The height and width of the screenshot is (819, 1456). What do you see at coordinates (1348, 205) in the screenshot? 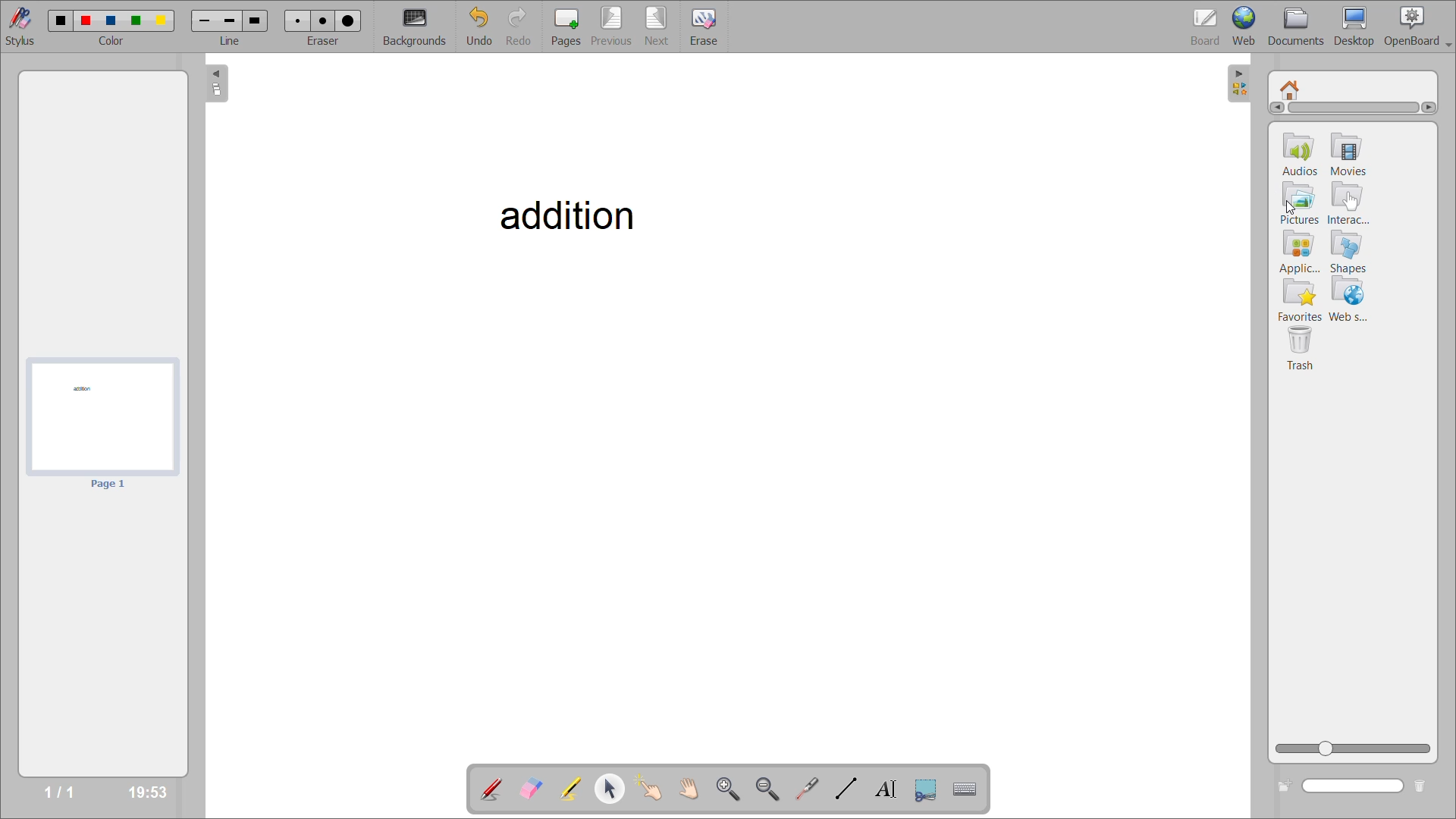
I see `interactivities` at bounding box center [1348, 205].